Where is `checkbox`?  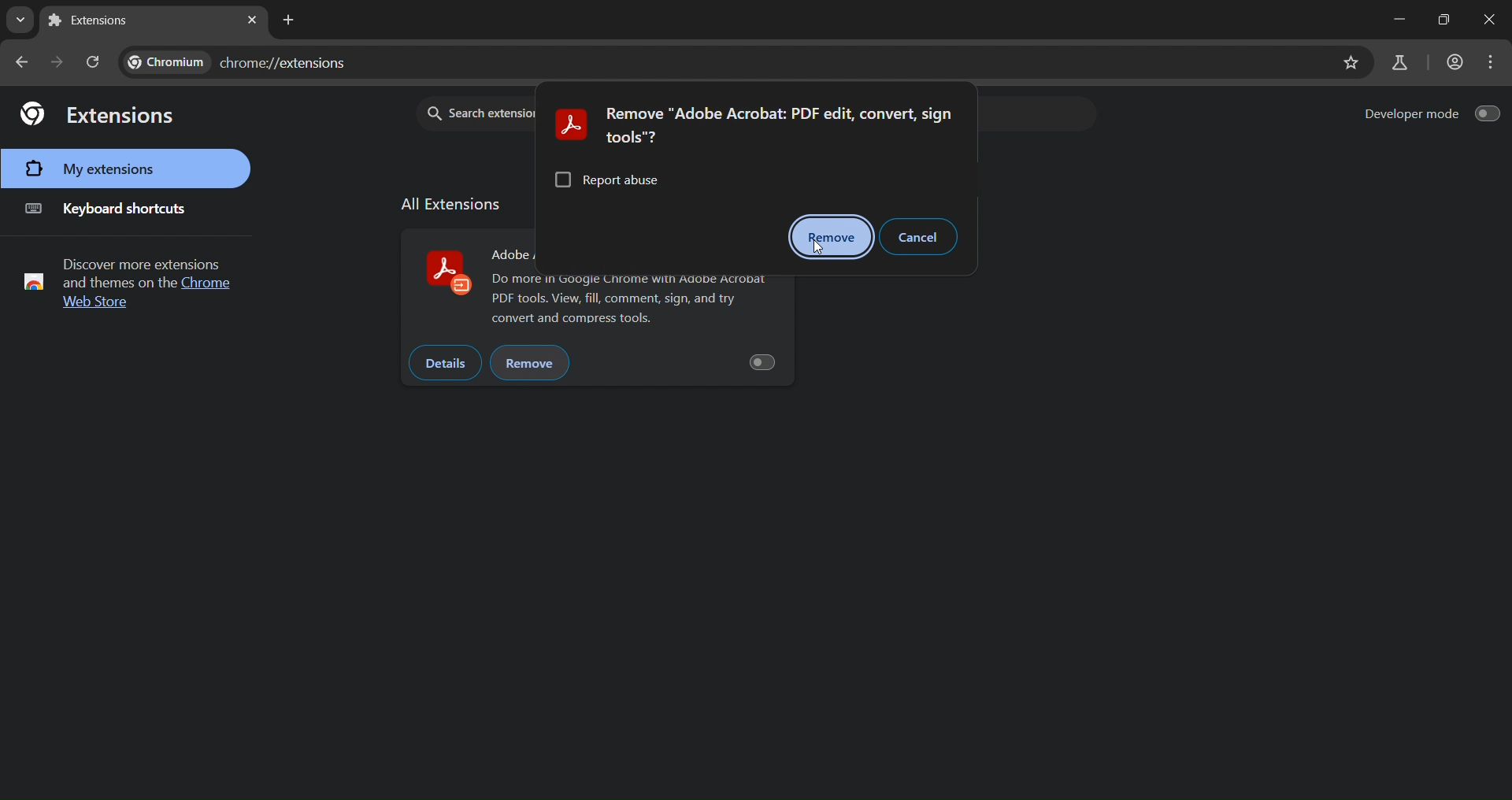 checkbox is located at coordinates (561, 182).